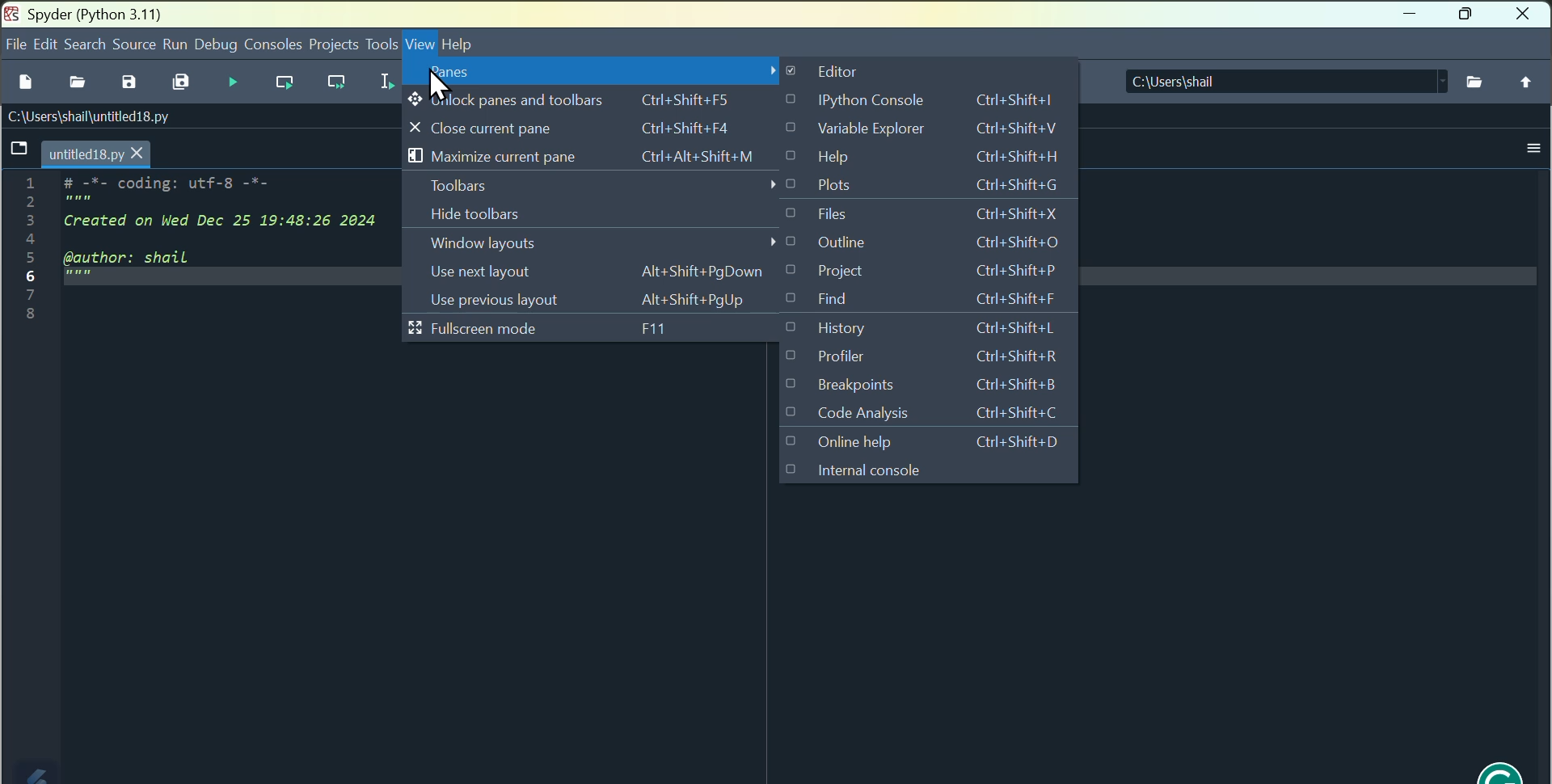 The width and height of the screenshot is (1552, 784). What do you see at coordinates (383, 82) in the screenshot?
I see `Run selection` at bounding box center [383, 82].